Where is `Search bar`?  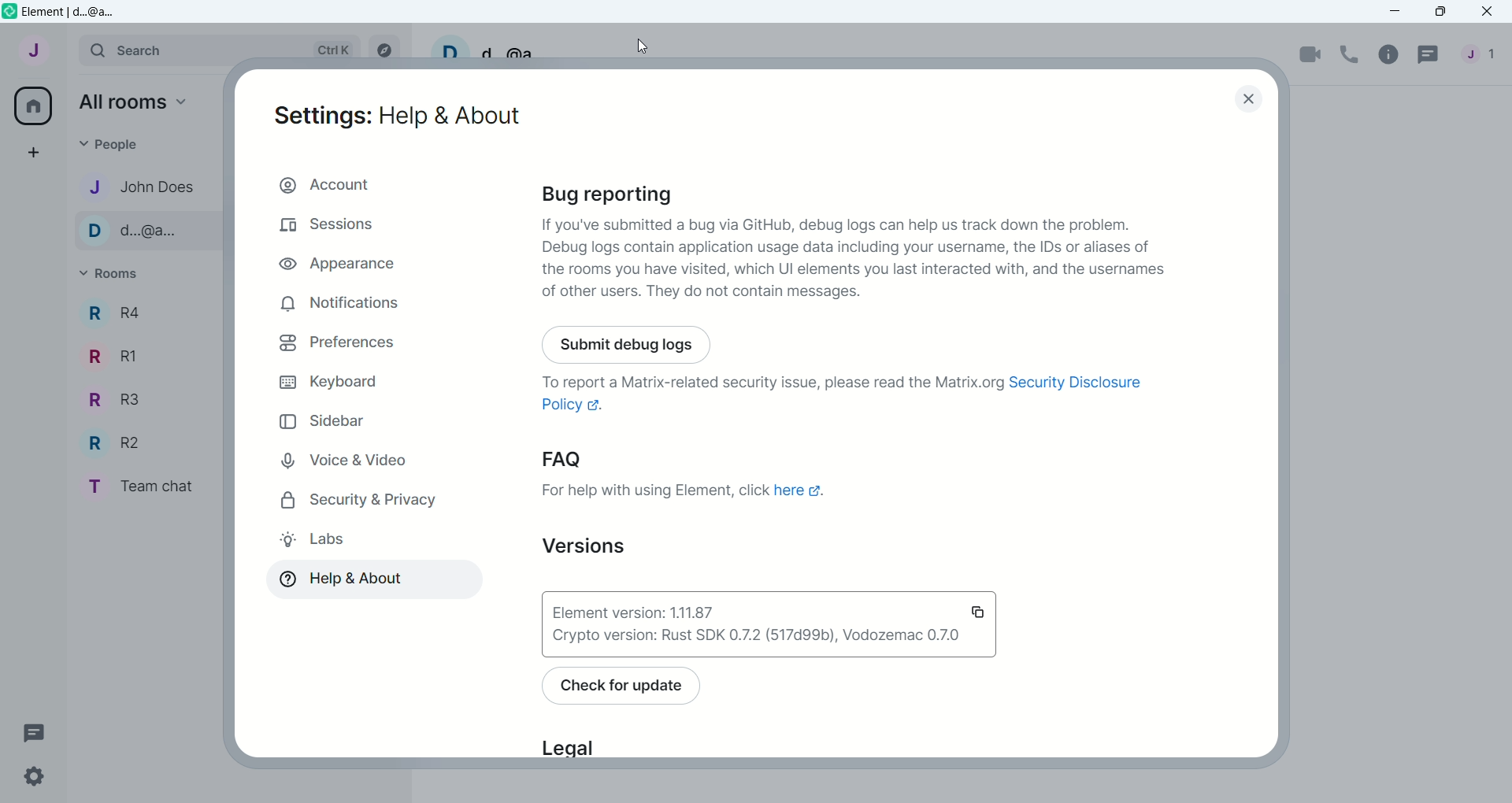 Search bar is located at coordinates (220, 47).